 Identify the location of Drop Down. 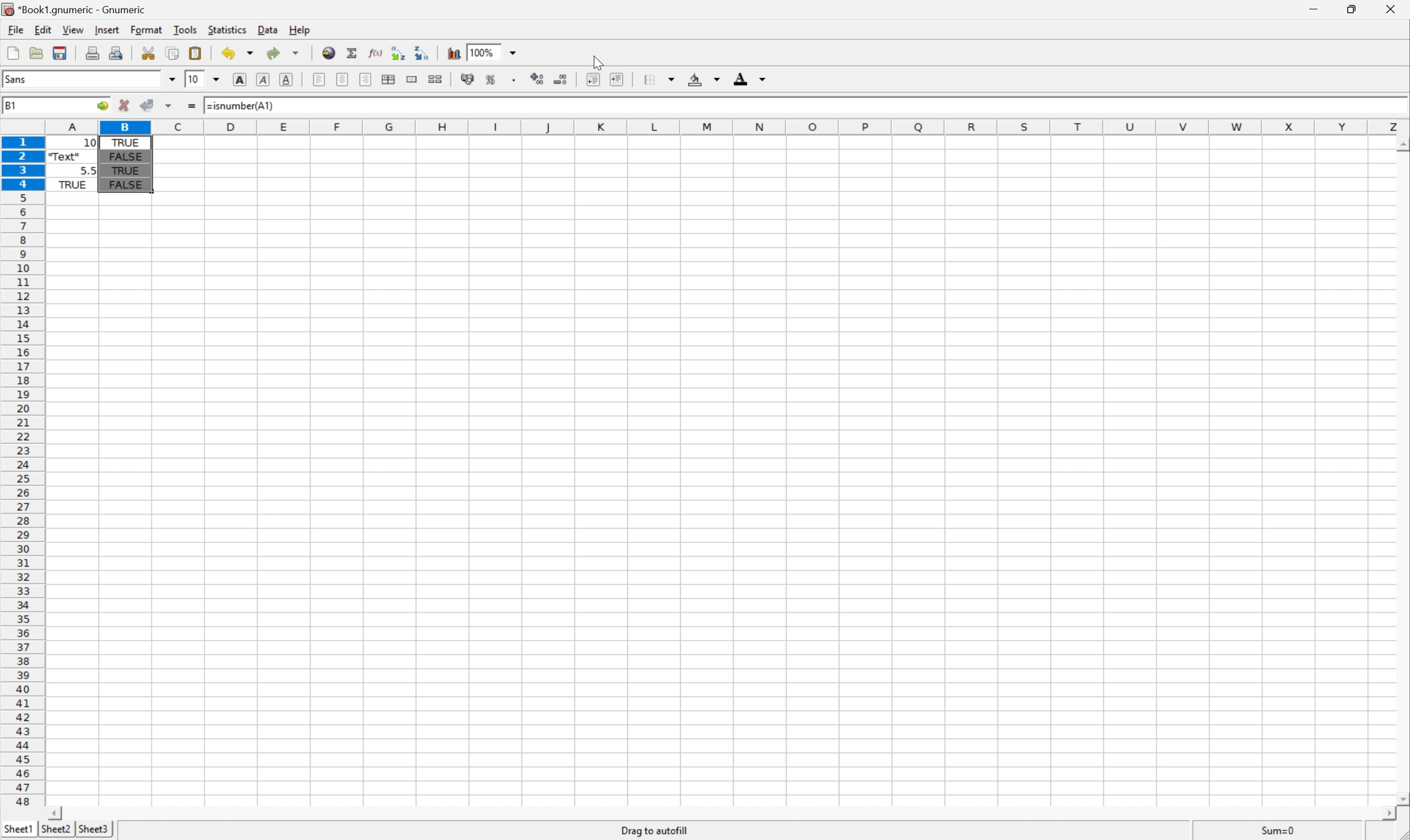
(169, 79).